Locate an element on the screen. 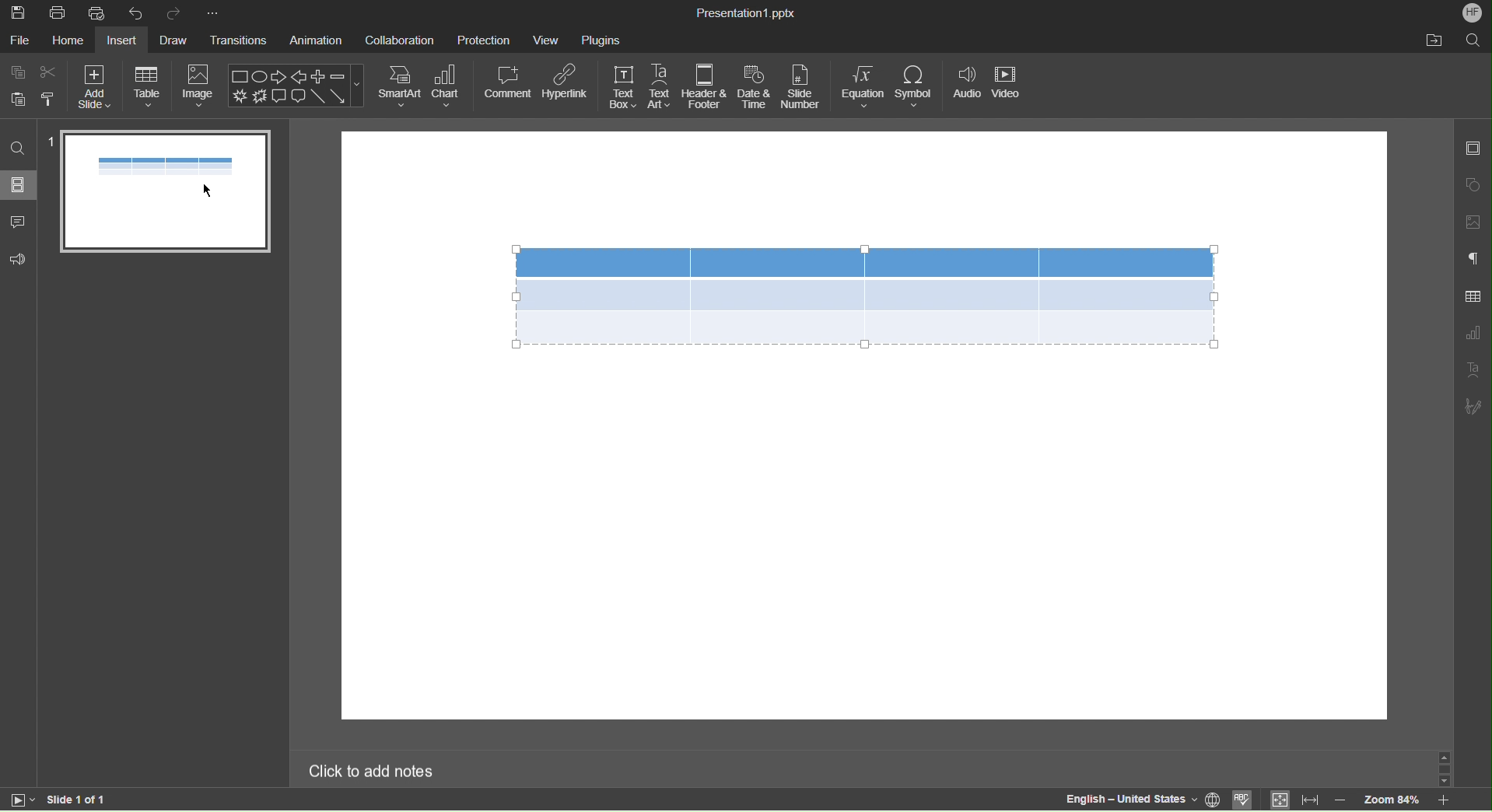 The height and width of the screenshot is (812, 1492). Search is located at coordinates (1475, 40).